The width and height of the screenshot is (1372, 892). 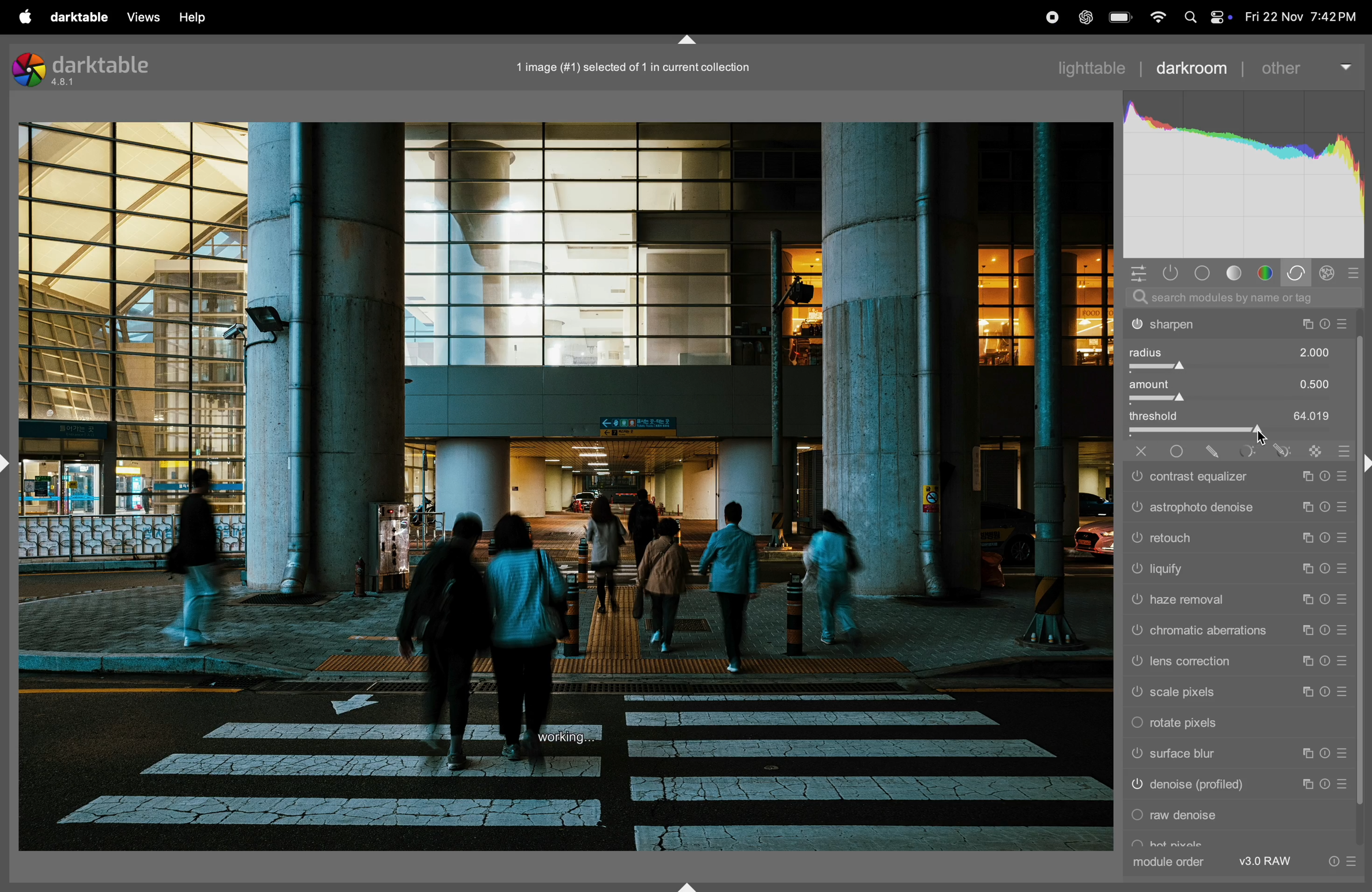 I want to click on show only active modules, so click(x=1171, y=273).